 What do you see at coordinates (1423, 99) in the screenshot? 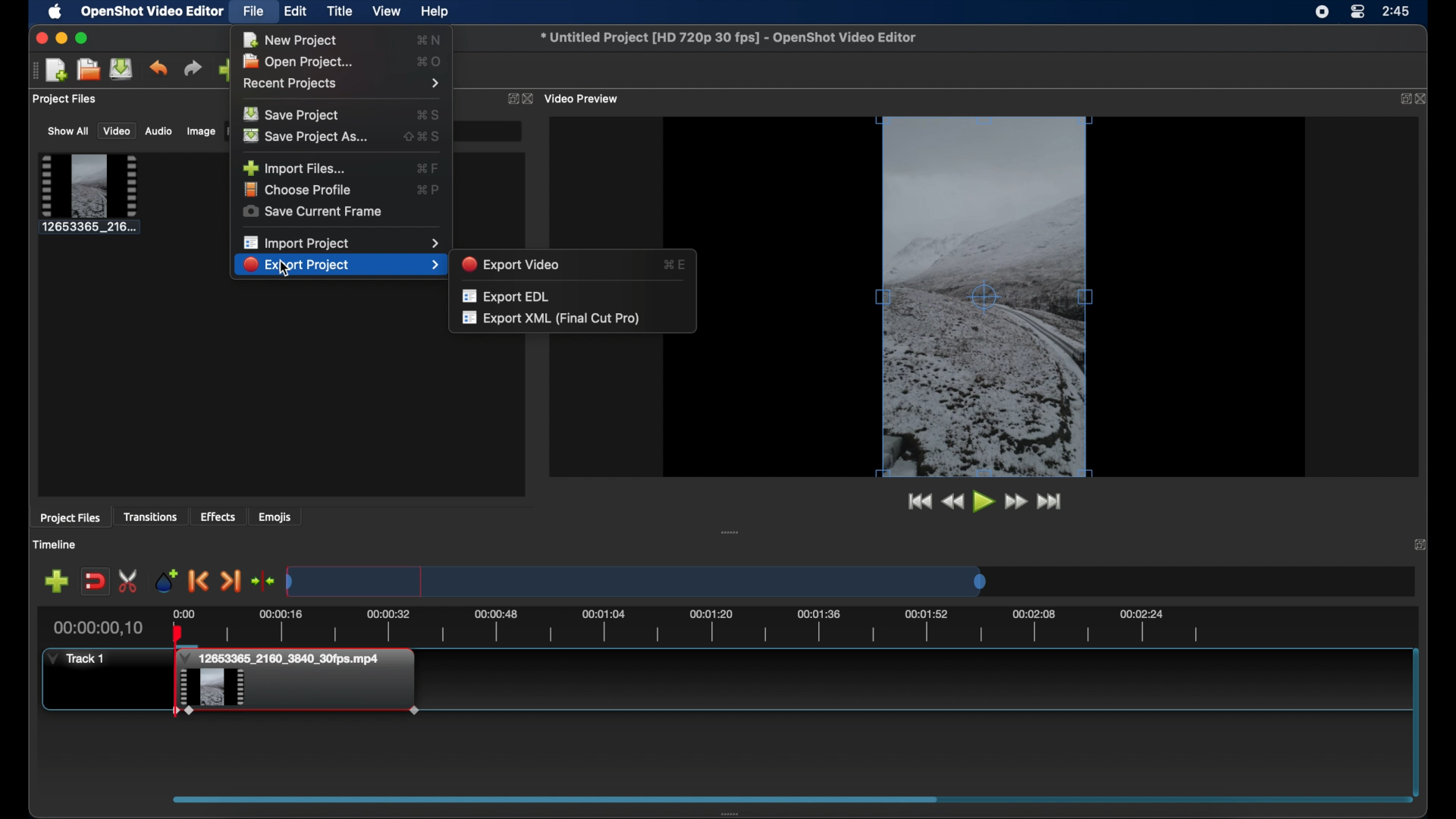
I see `close` at bounding box center [1423, 99].